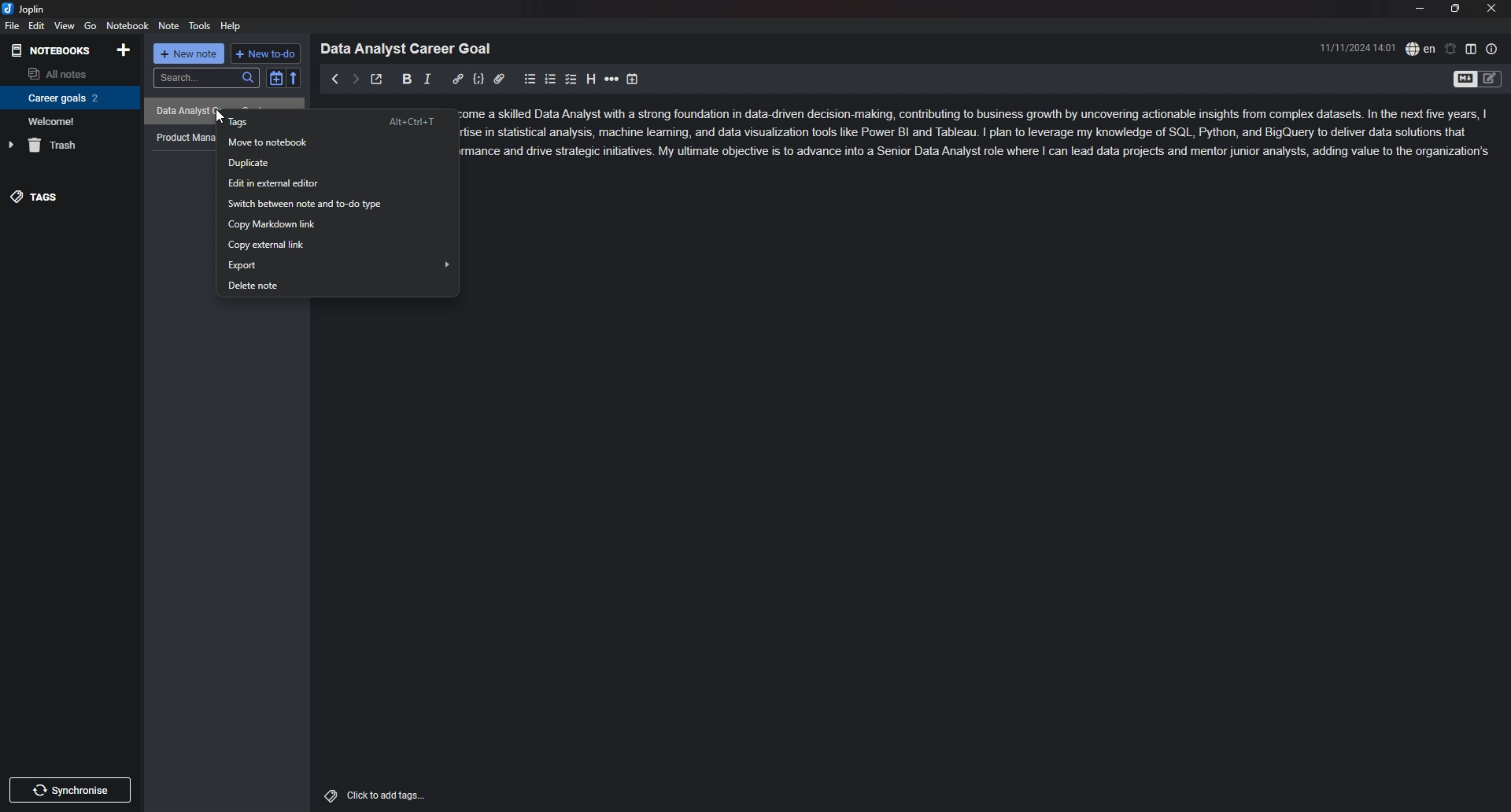  What do you see at coordinates (125, 50) in the screenshot?
I see `add notebook` at bounding box center [125, 50].